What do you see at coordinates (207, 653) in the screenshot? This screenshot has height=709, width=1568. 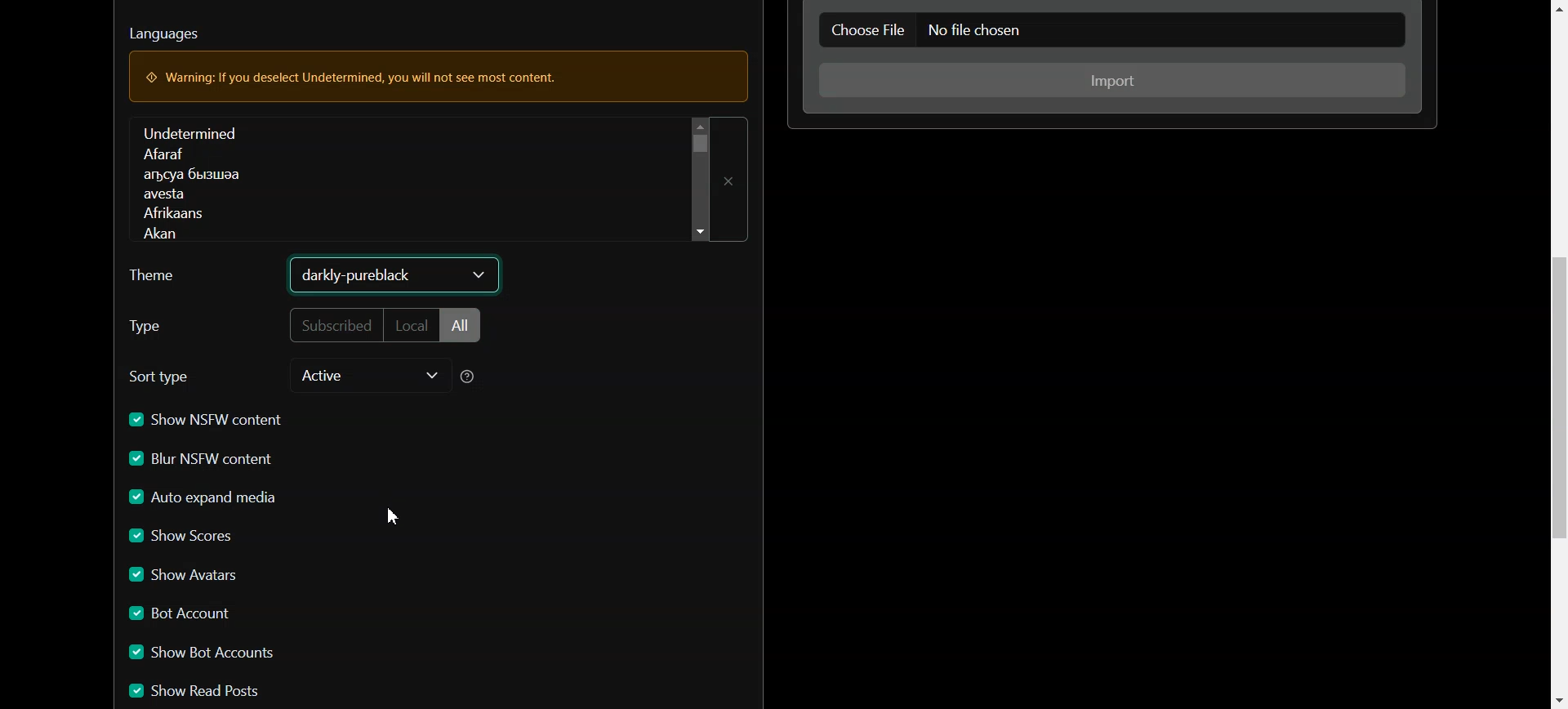 I see `Show Bot Accounts` at bounding box center [207, 653].